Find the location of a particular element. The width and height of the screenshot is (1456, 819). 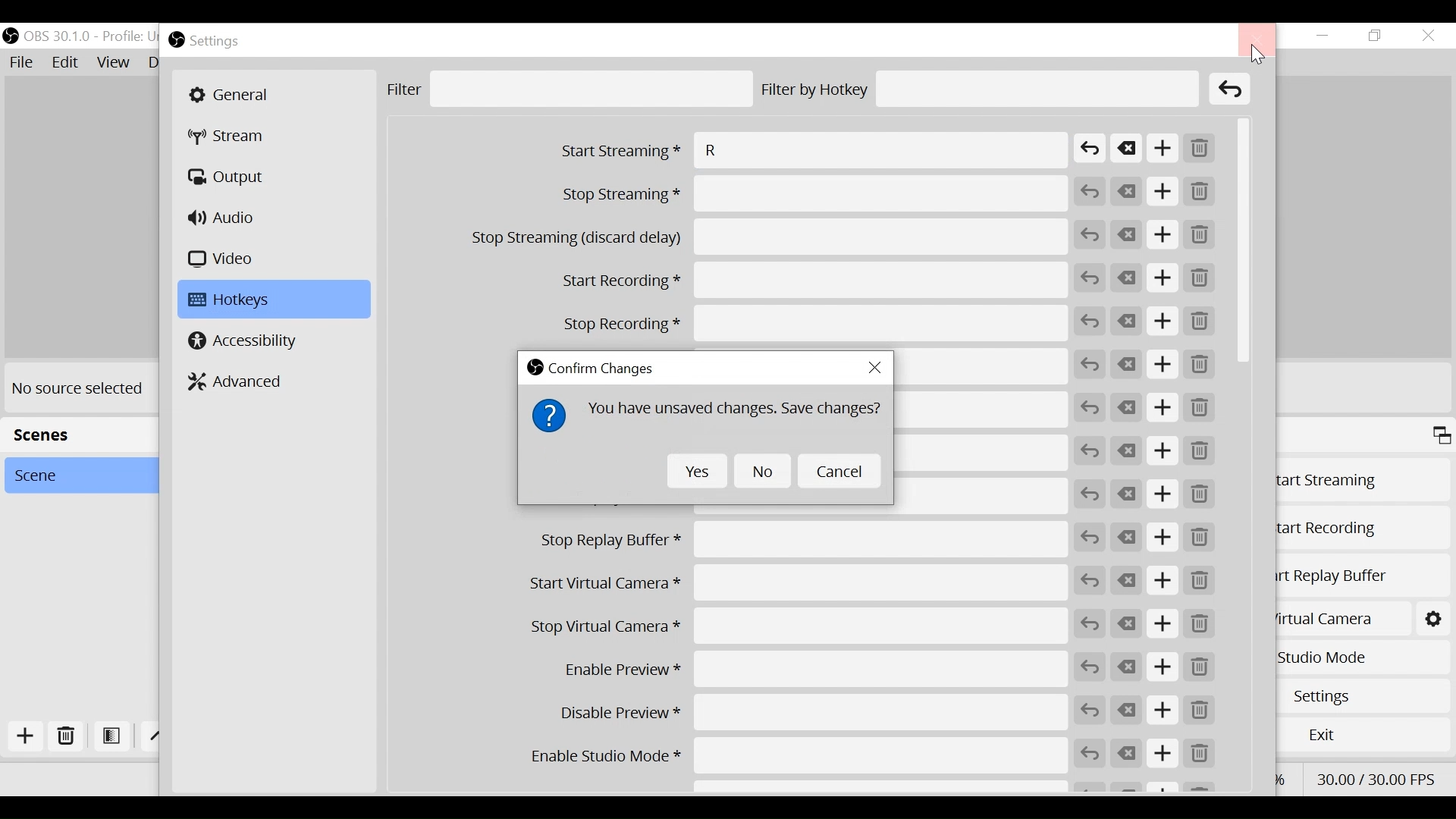

Add is located at coordinates (1166, 711).